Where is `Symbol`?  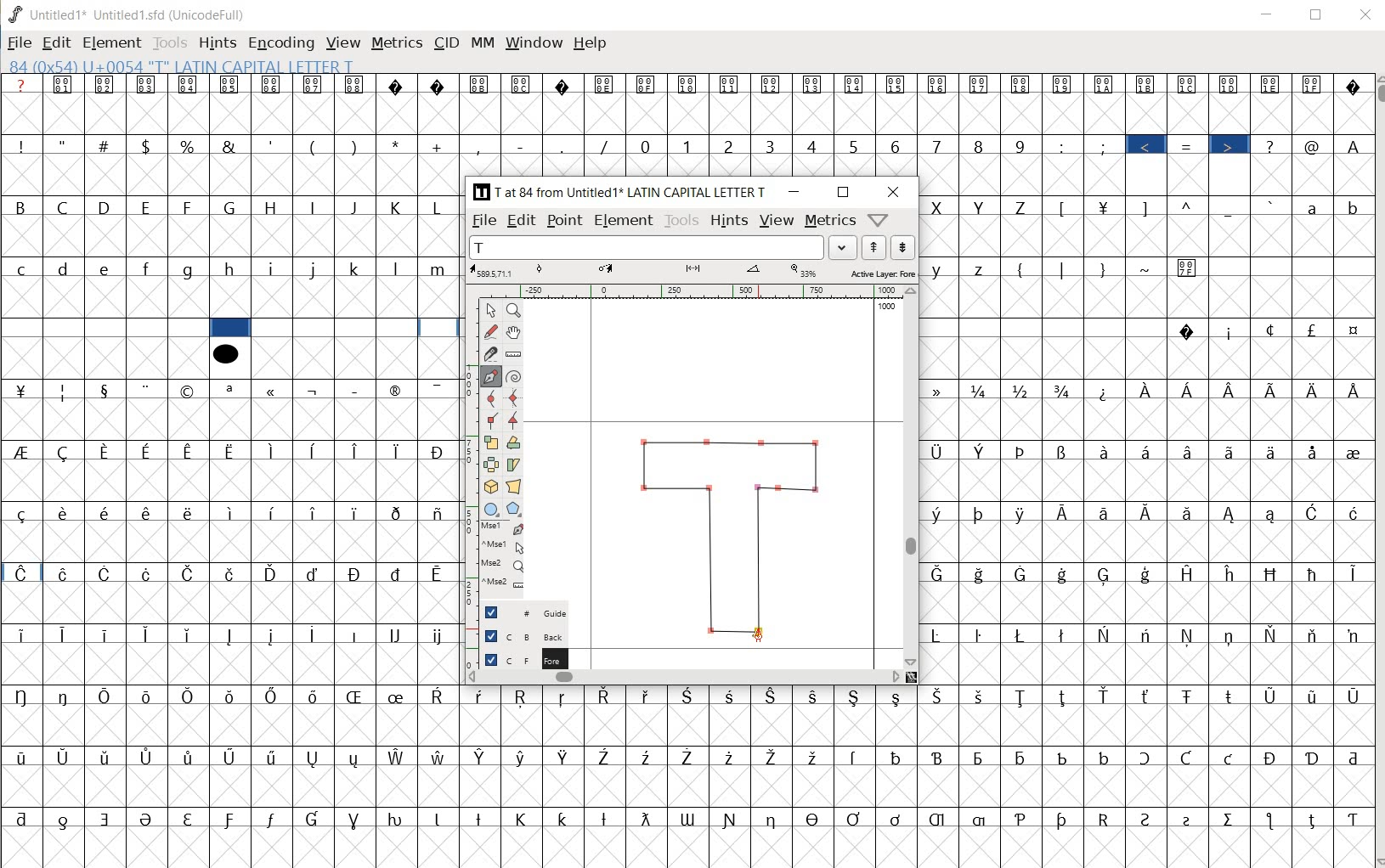
Symbol is located at coordinates (982, 696).